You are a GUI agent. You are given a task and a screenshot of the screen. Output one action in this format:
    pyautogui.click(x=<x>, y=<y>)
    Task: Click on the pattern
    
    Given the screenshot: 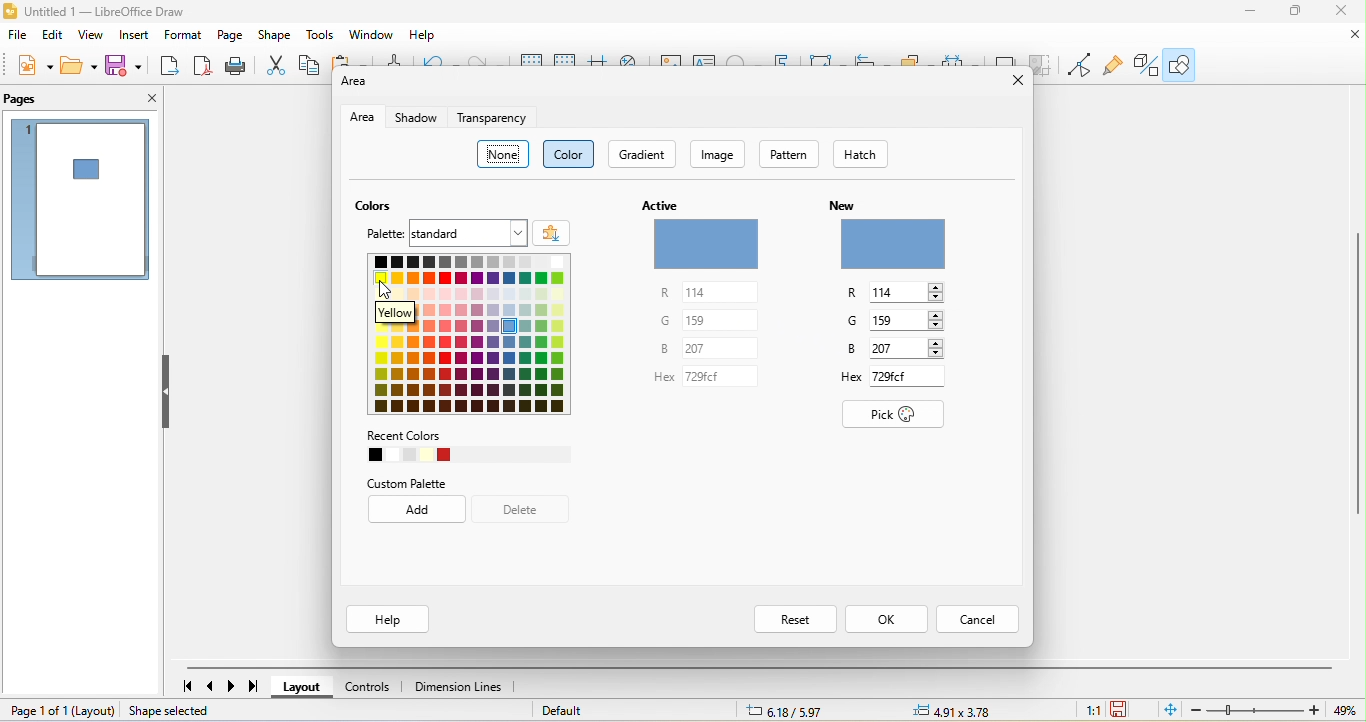 What is the action you would take?
    pyautogui.click(x=790, y=156)
    